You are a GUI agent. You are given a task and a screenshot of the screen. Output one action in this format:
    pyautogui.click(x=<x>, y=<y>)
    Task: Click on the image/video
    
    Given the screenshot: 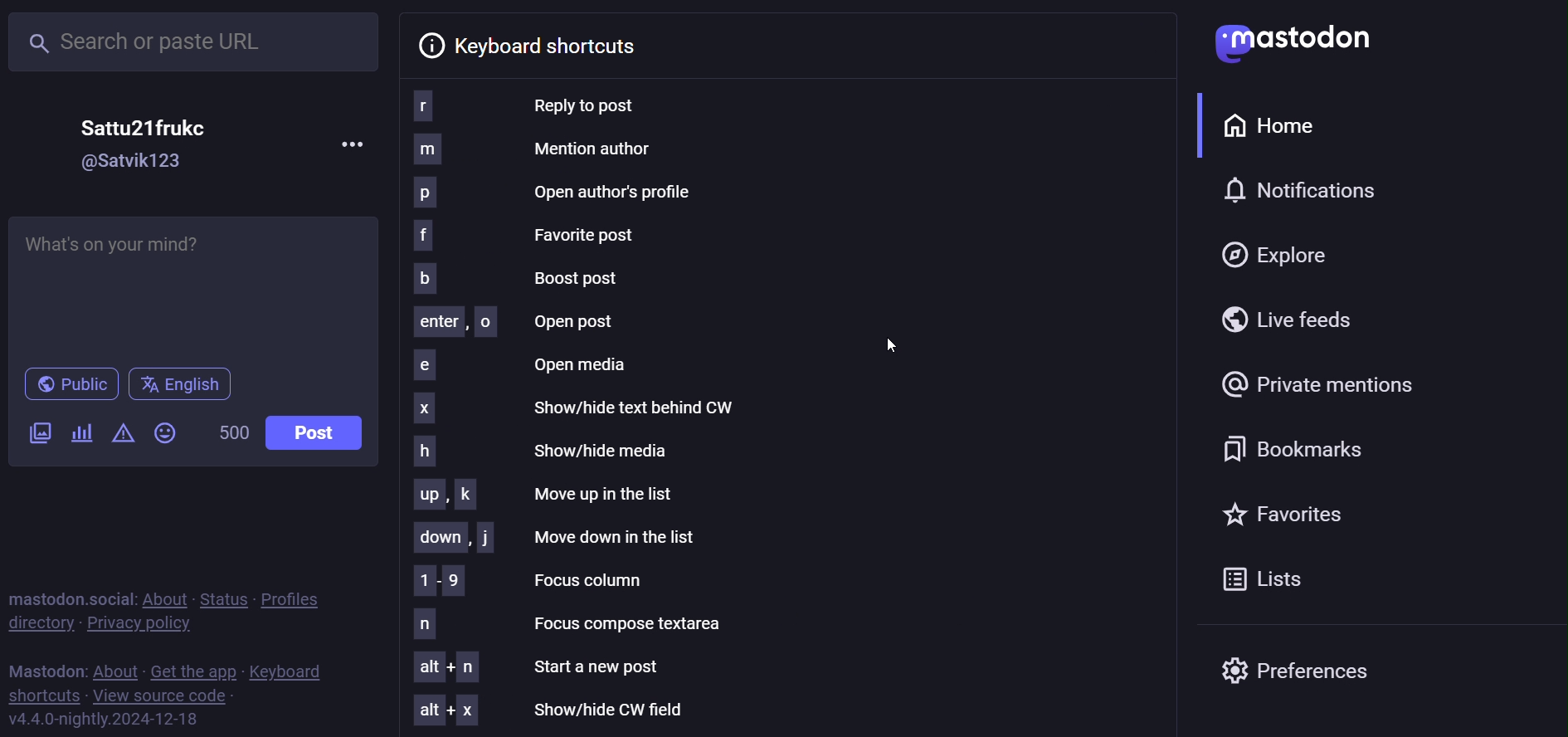 What is the action you would take?
    pyautogui.click(x=40, y=431)
    